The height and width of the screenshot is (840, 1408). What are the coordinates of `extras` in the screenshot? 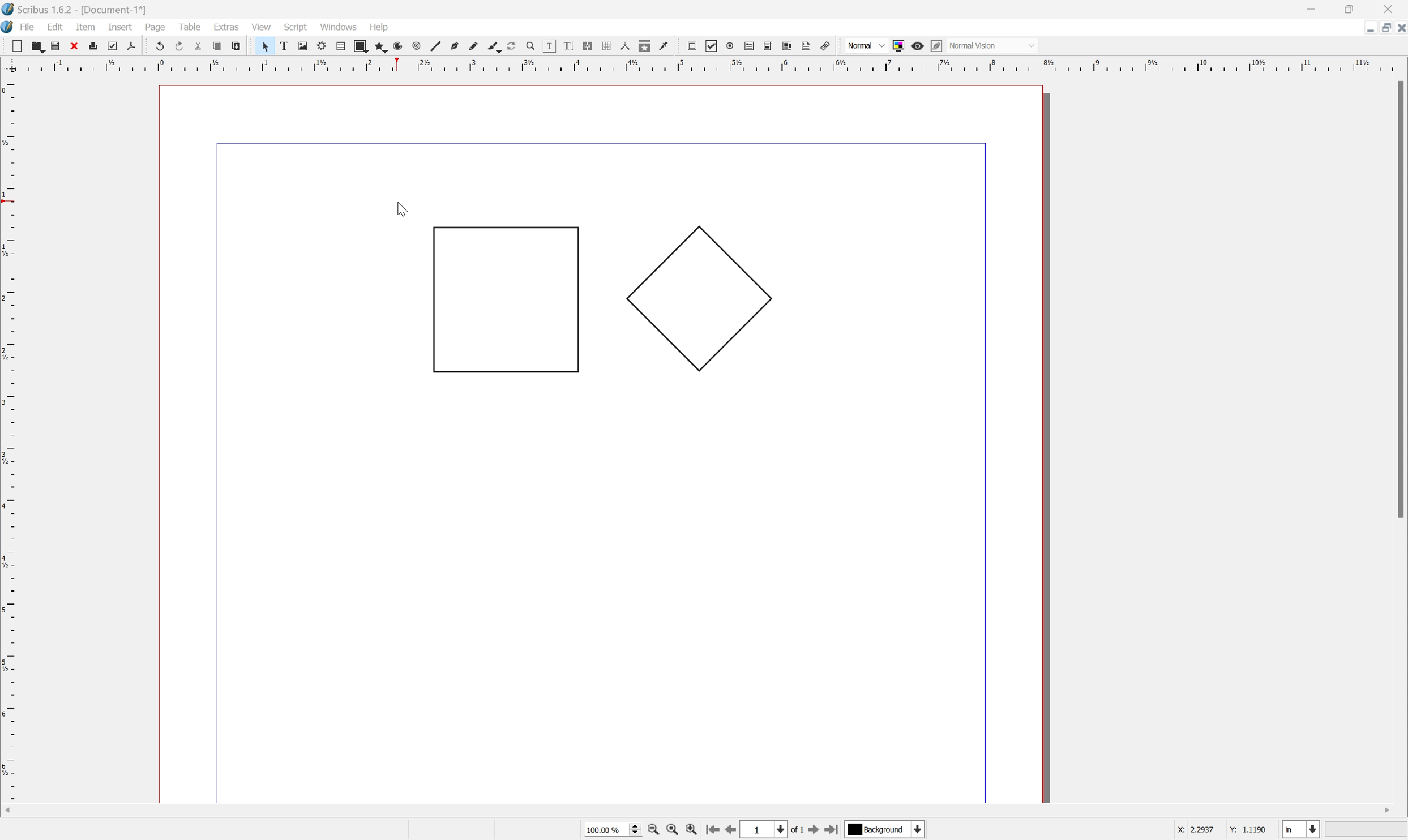 It's located at (226, 27).